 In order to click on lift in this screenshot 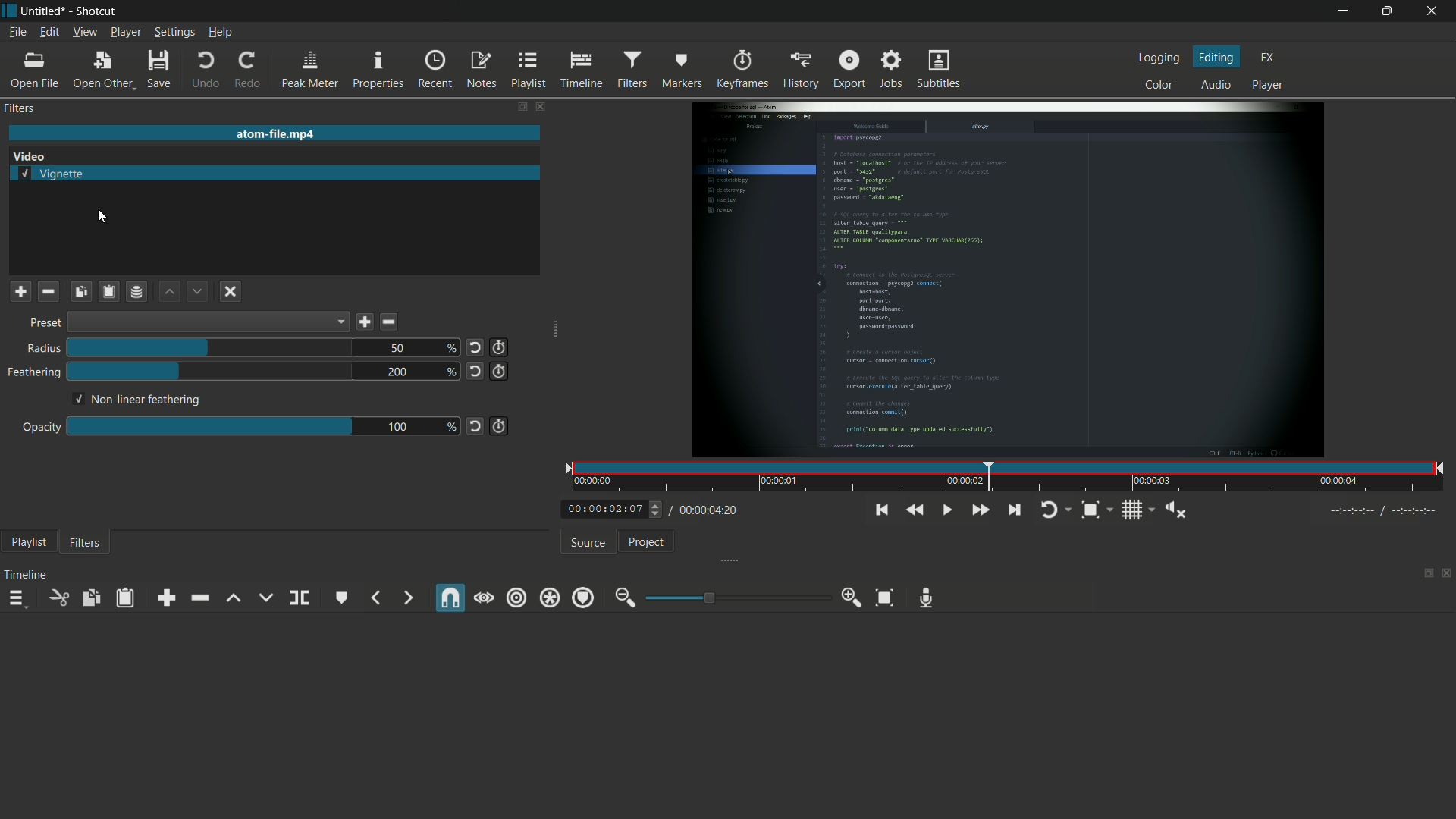, I will do `click(234, 598)`.